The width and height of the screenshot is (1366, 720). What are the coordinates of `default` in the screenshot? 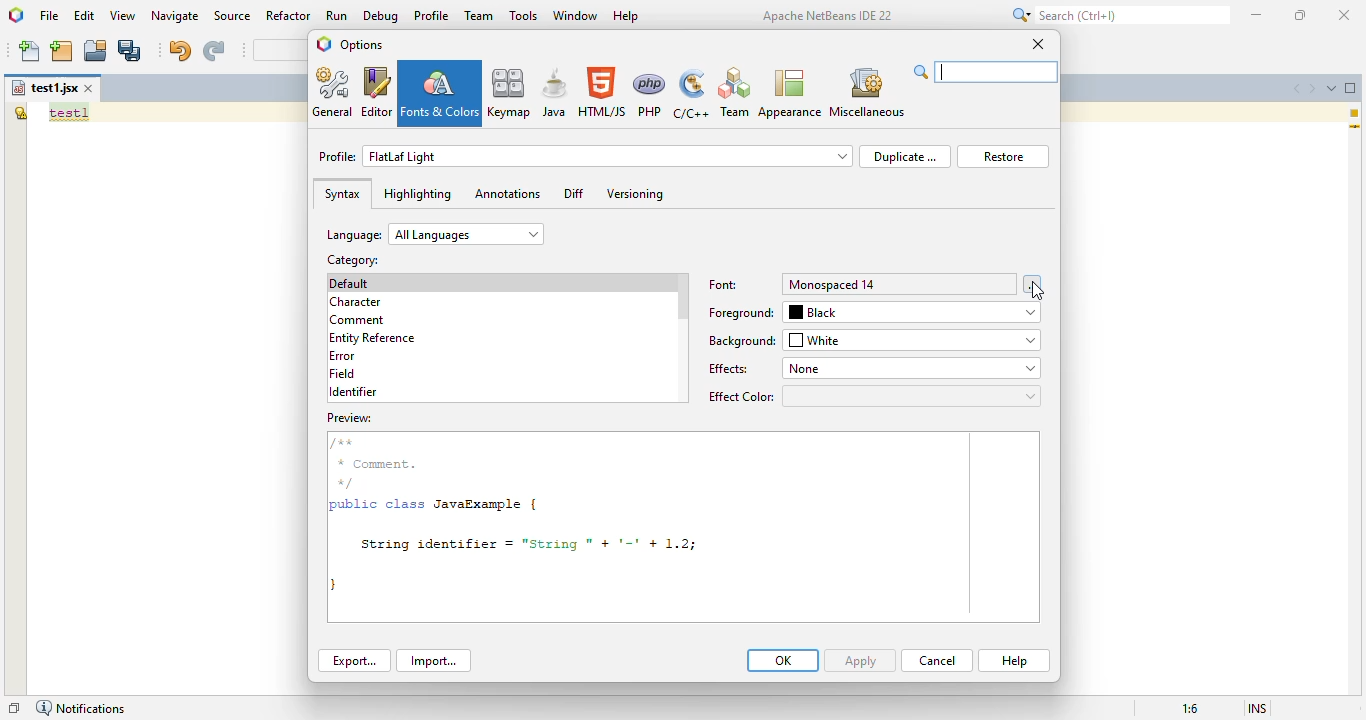 It's located at (353, 283).